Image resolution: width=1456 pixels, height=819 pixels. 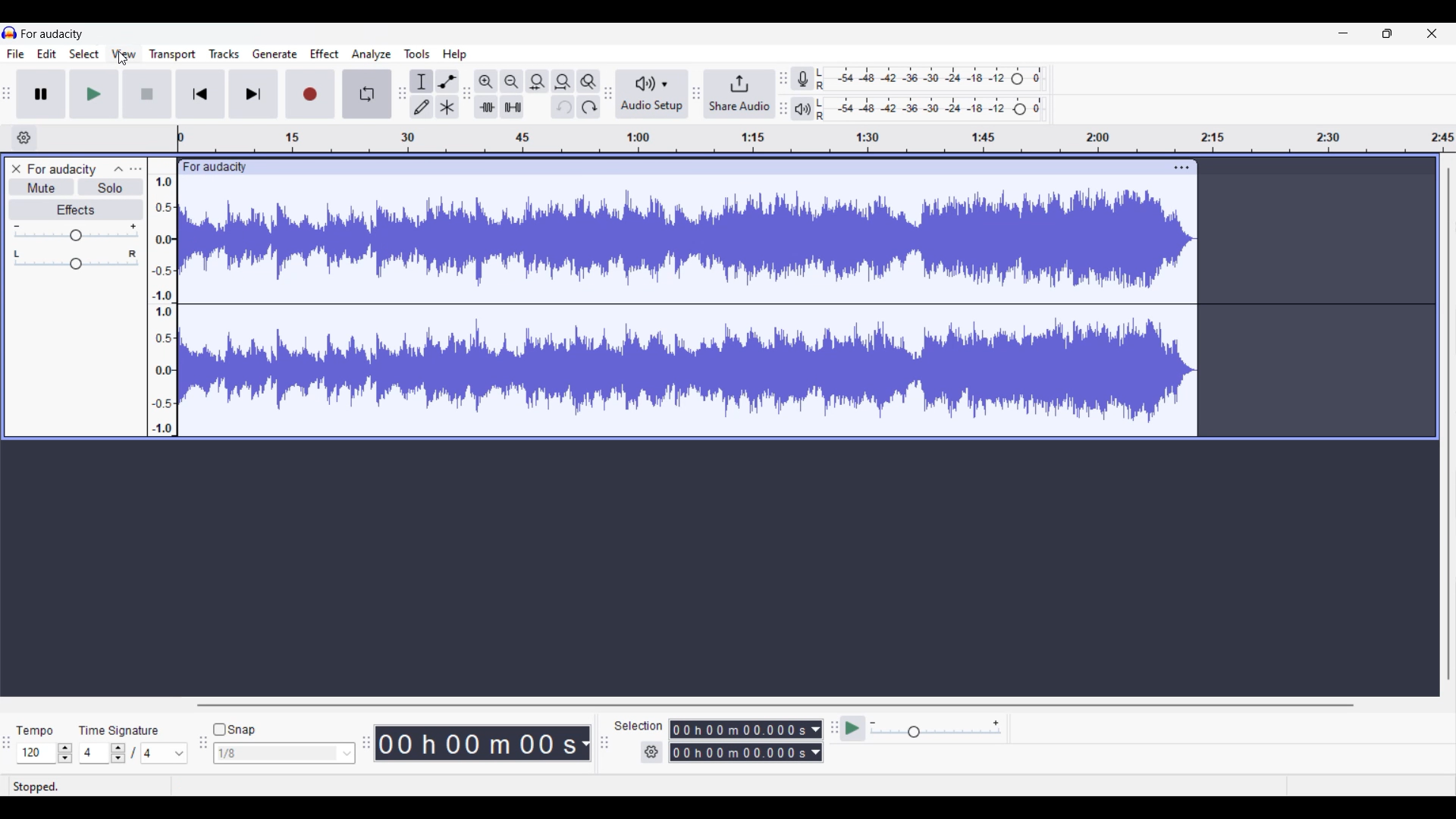 What do you see at coordinates (94, 94) in the screenshot?
I see `Play/Play once` at bounding box center [94, 94].